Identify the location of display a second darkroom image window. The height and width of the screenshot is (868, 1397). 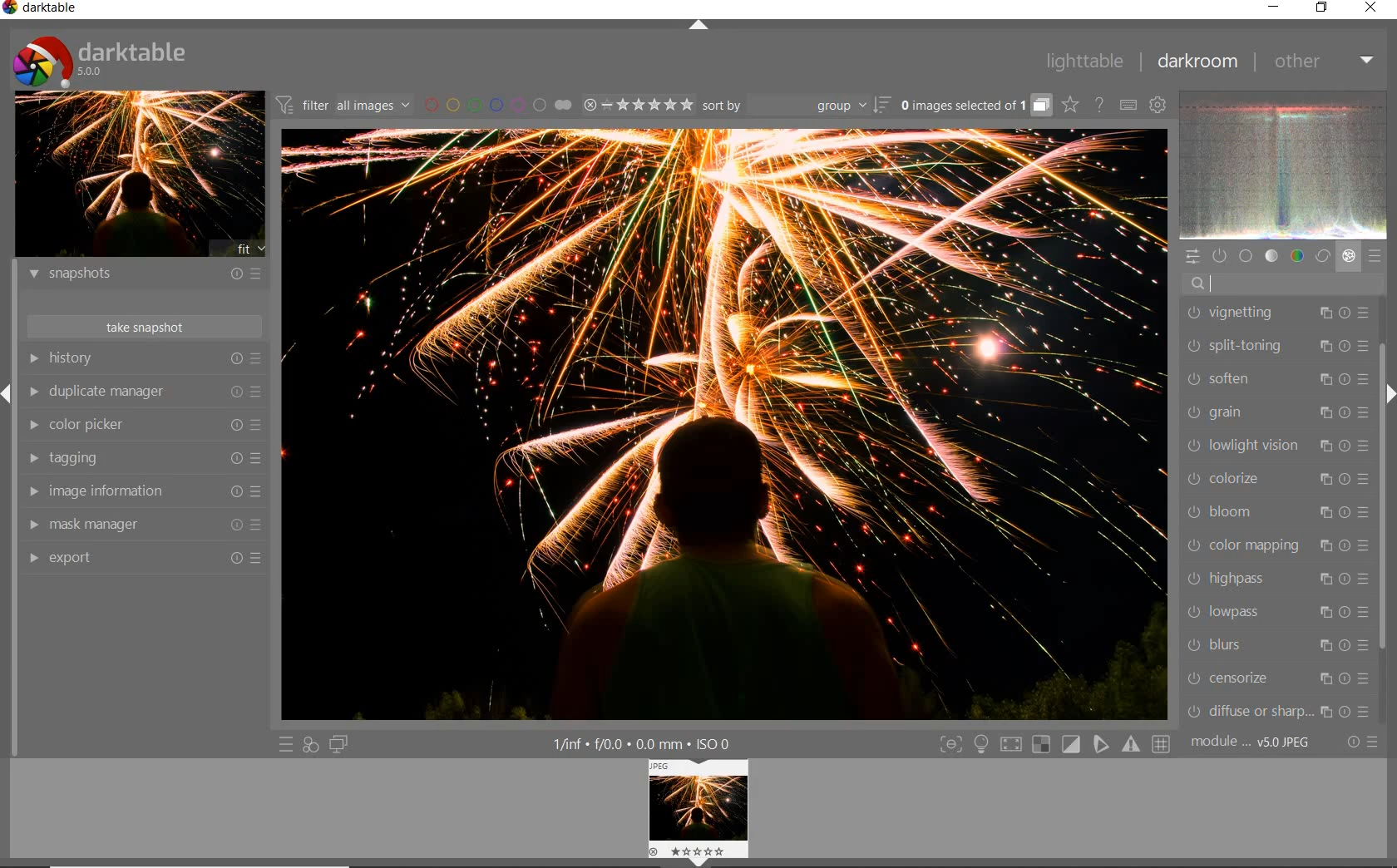
(341, 745).